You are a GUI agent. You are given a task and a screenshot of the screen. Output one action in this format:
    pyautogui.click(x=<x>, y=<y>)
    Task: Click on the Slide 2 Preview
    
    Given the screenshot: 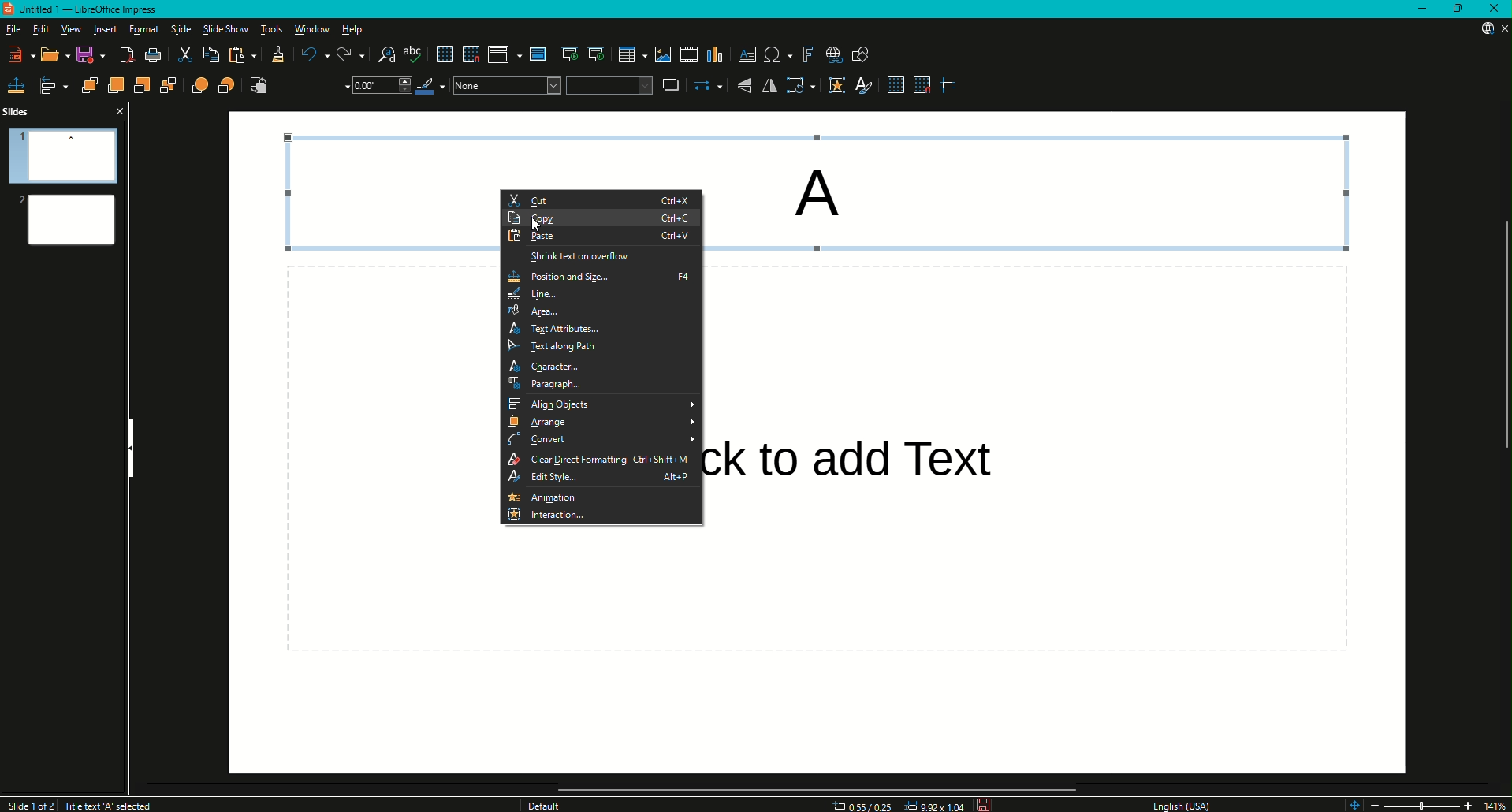 What is the action you would take?
    pyautogui.click(x=69, y=224)
    